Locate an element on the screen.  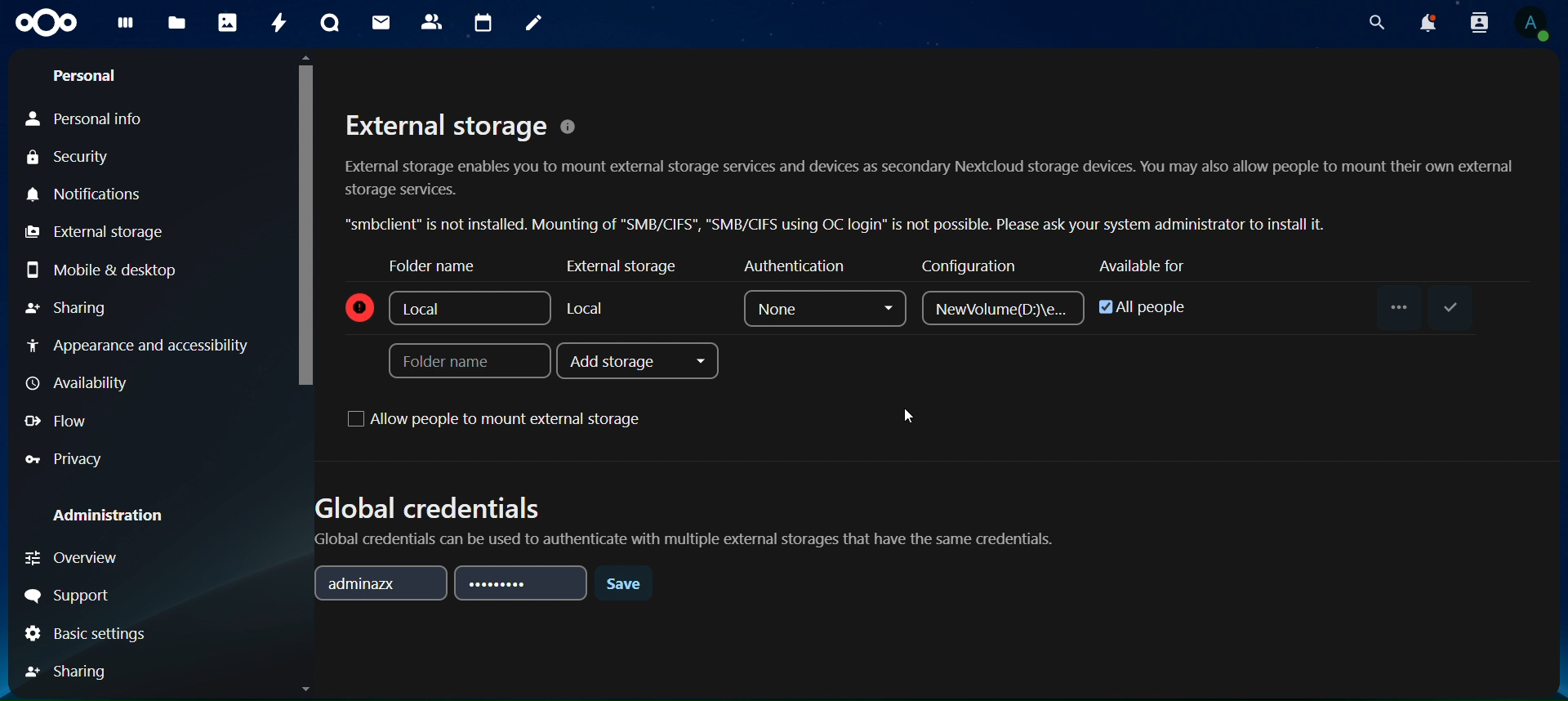
none is located at coordinates (820, 310).